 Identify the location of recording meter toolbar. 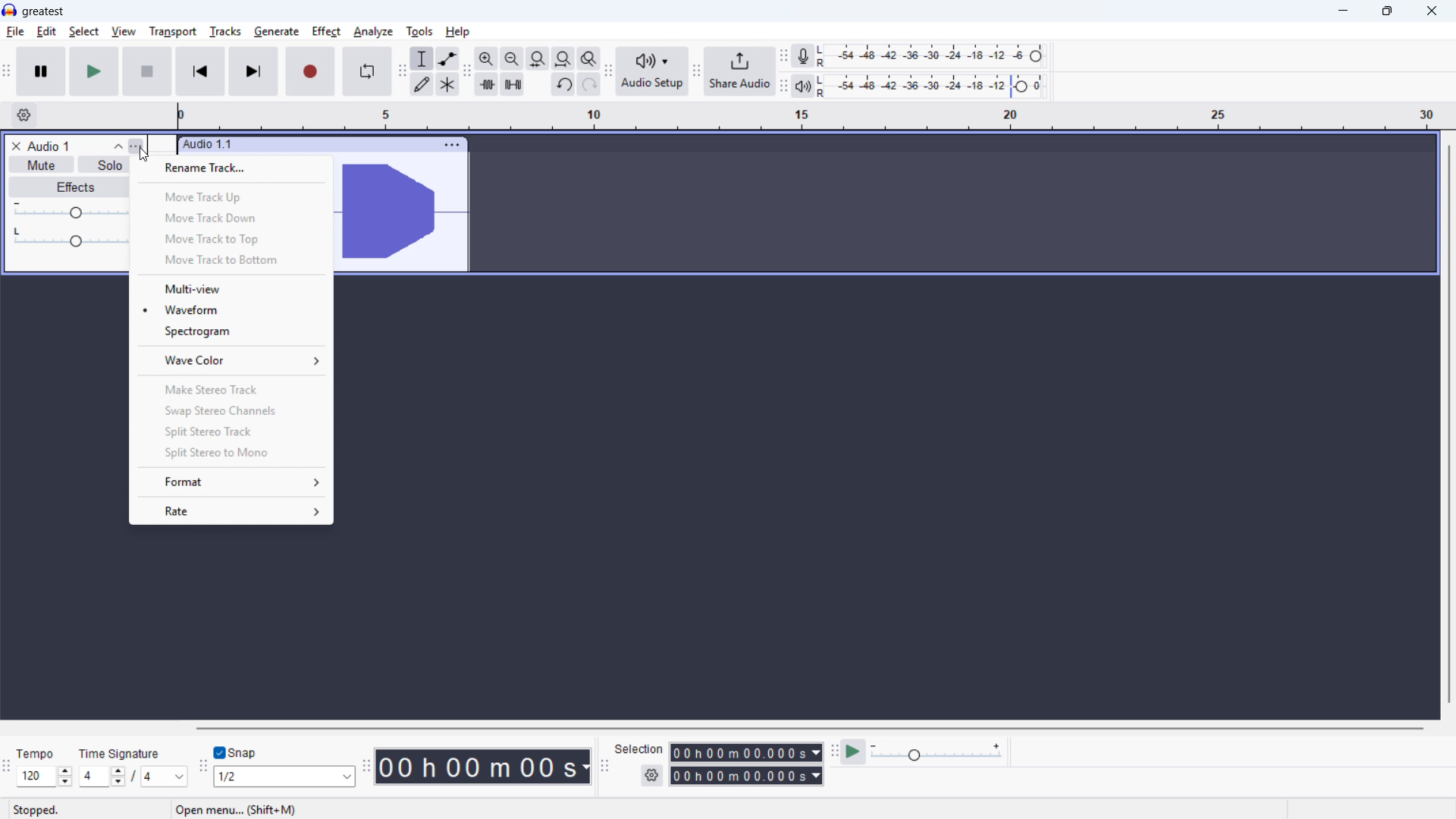
(783, 57).